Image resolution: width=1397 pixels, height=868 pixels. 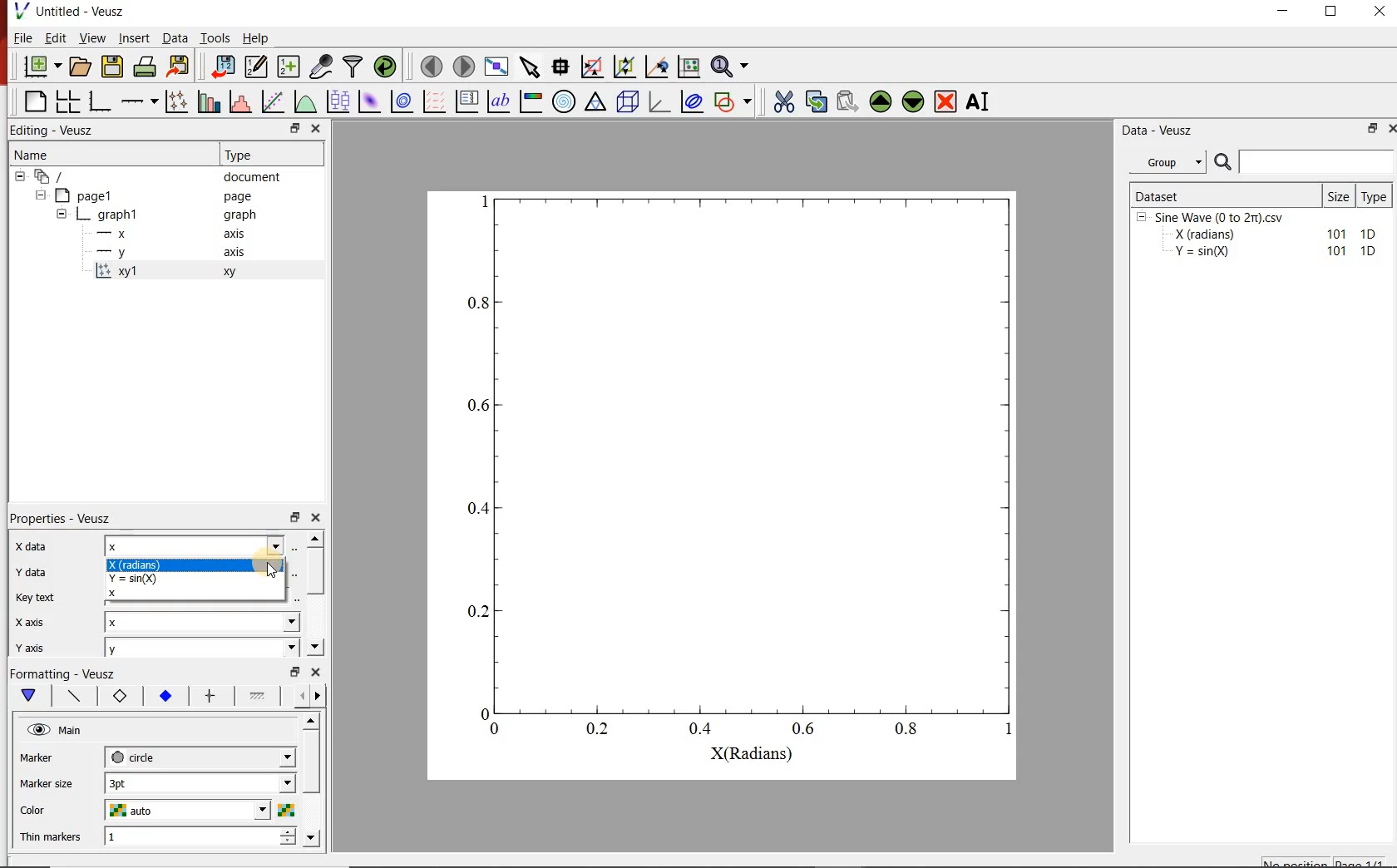 What do you see at coordinates (310, 722) in the screenshot?
I see `Up` at bounding box center [310, 722].